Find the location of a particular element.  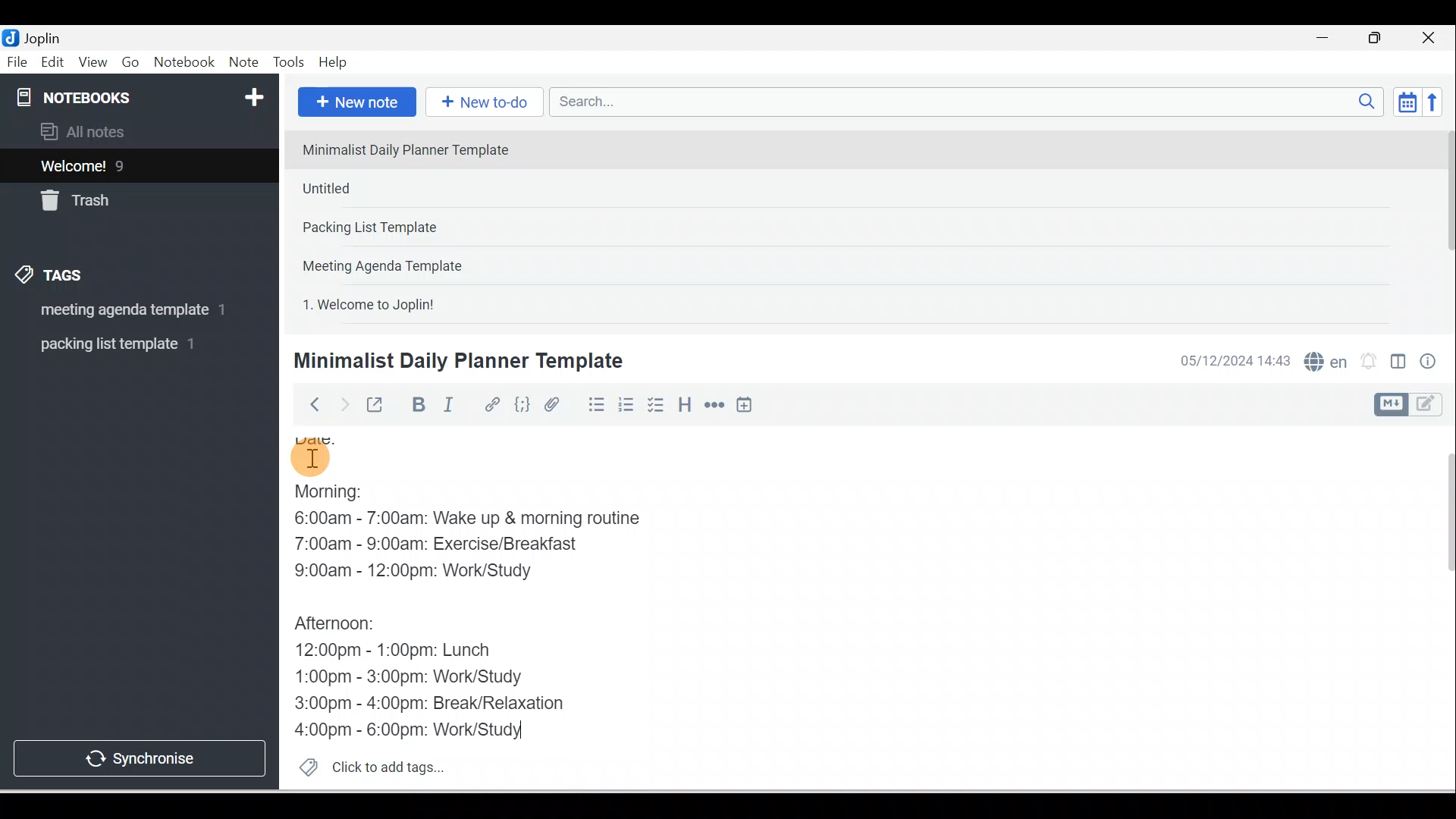

Reverse sort is located at coordinates (1437, 102).